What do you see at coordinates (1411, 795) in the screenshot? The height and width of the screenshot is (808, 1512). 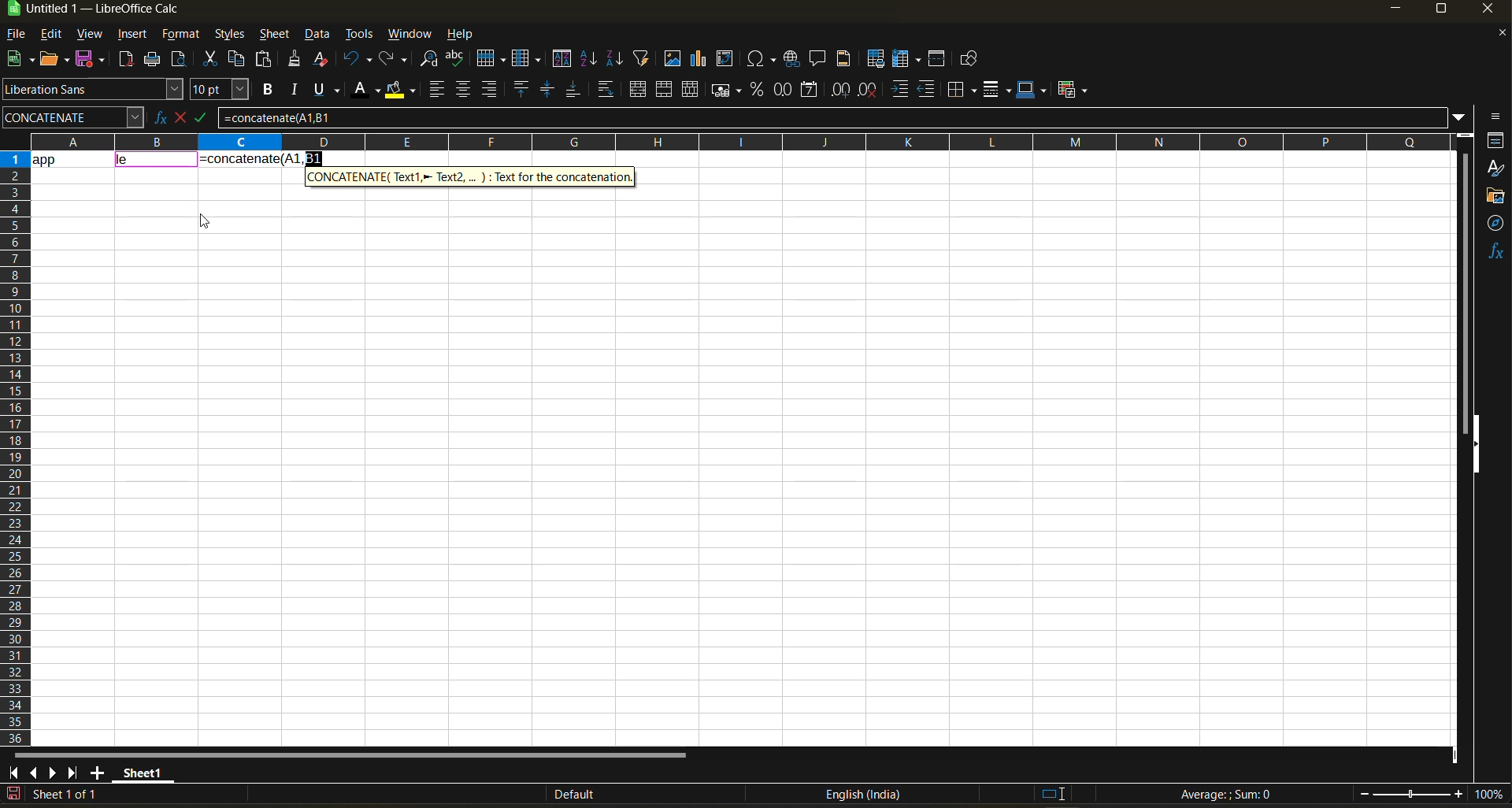 I see `zoom slider` at bounding box center [1411, 795].